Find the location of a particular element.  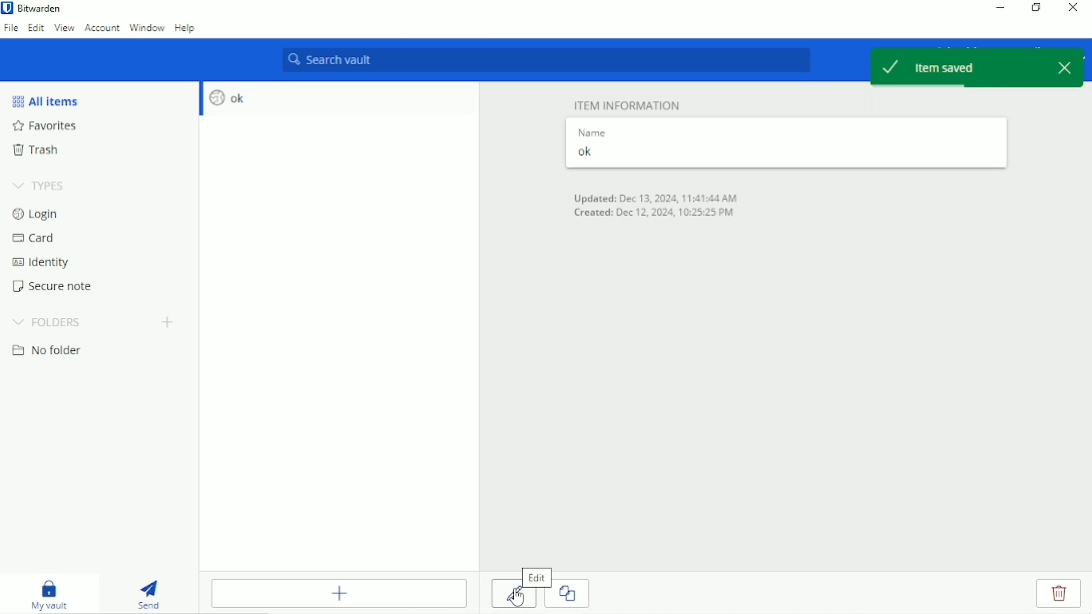

Clone is located at coordinates (574, 595).